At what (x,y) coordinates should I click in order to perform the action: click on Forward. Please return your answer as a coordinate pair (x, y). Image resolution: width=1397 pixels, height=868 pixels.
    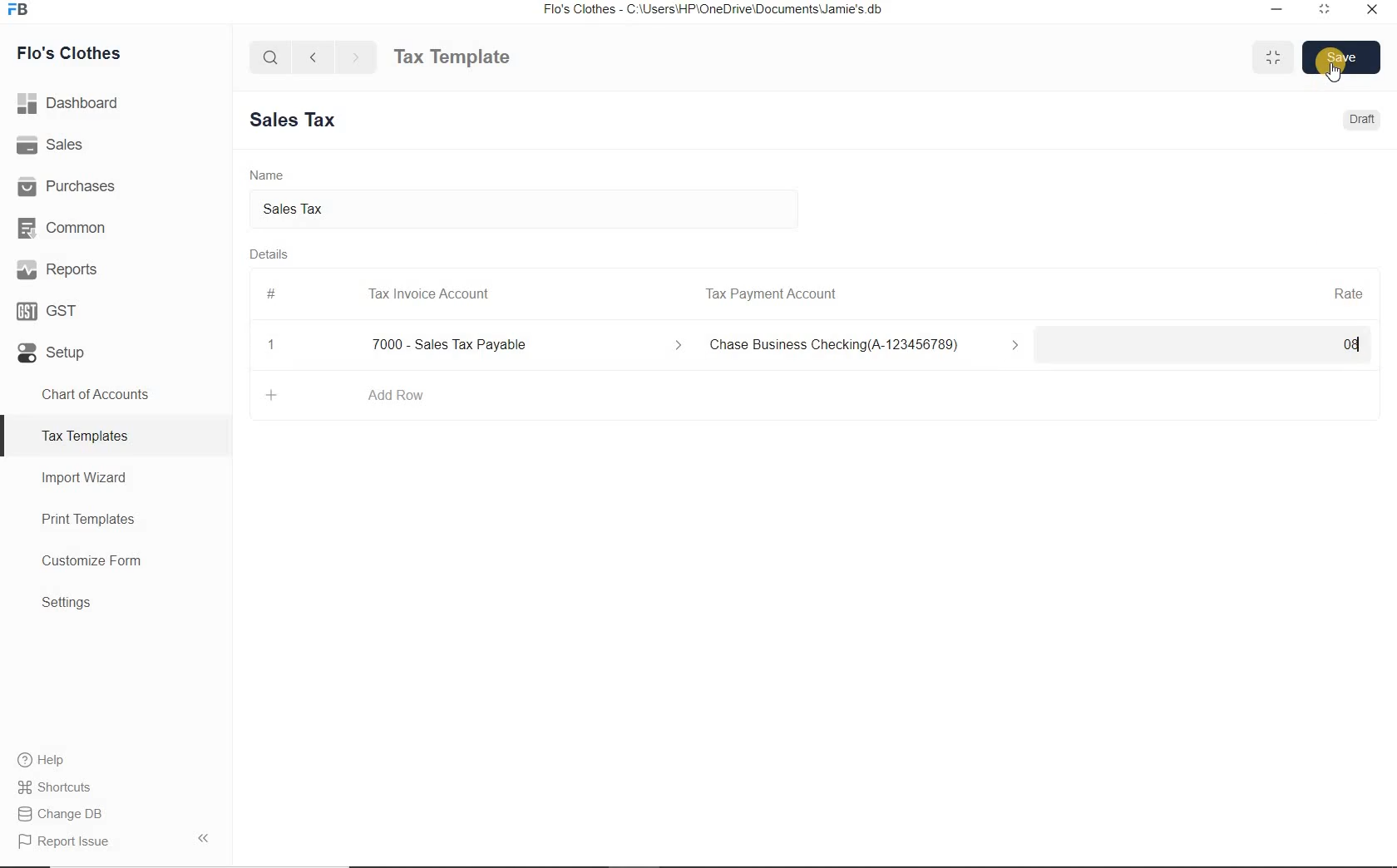
    Looking at the image, I should click on (357, 57).